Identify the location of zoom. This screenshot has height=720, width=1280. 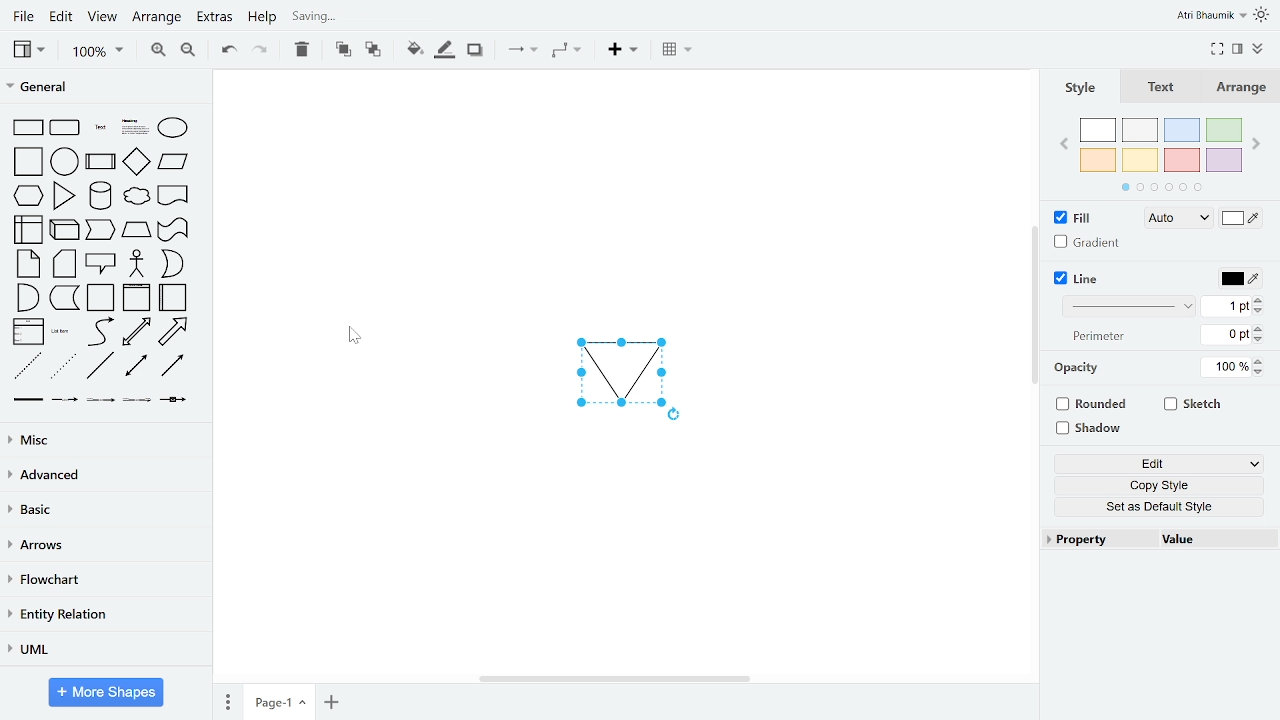
(97, 52).